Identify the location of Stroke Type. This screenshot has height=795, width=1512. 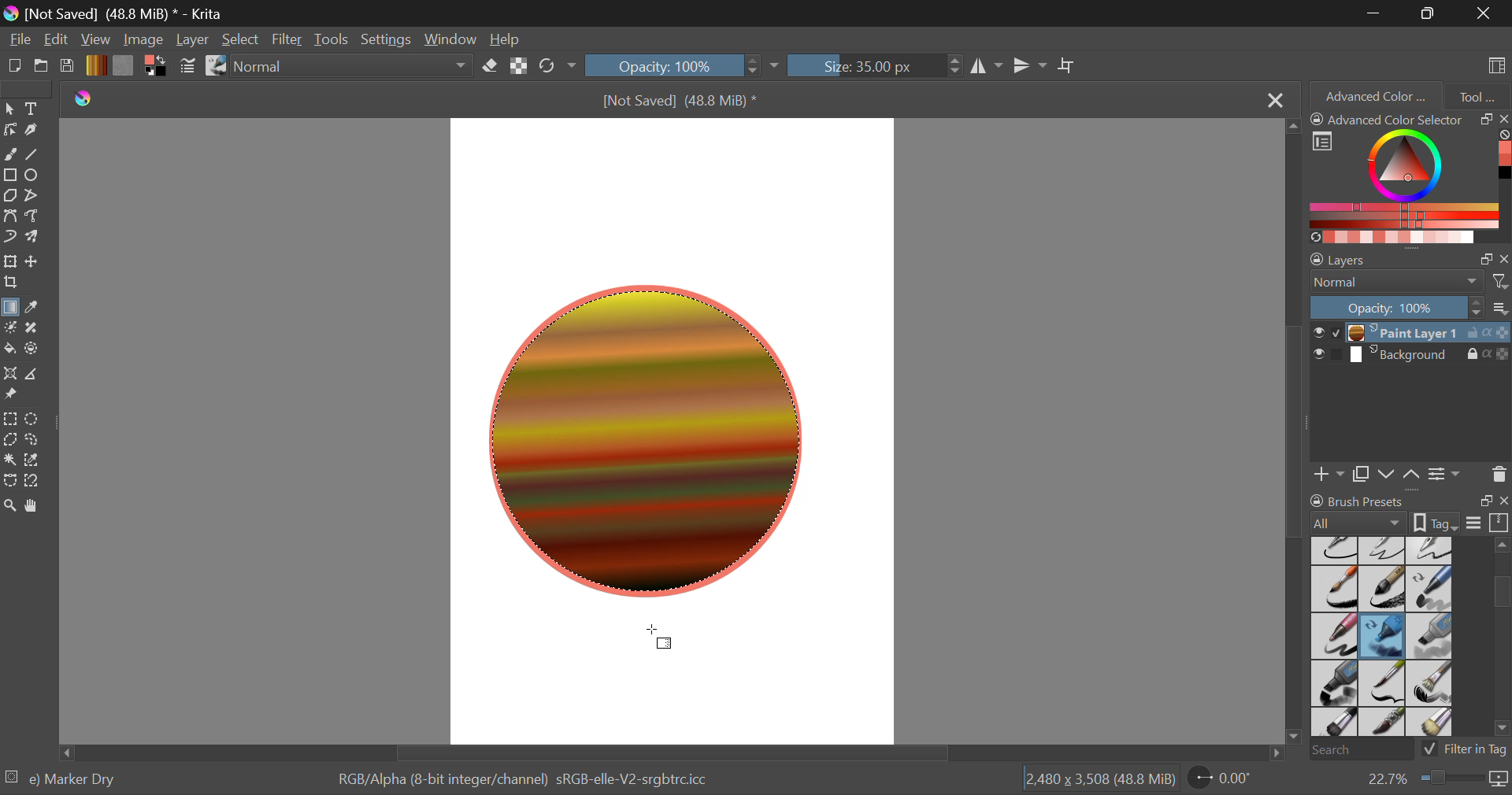
(215, 67).